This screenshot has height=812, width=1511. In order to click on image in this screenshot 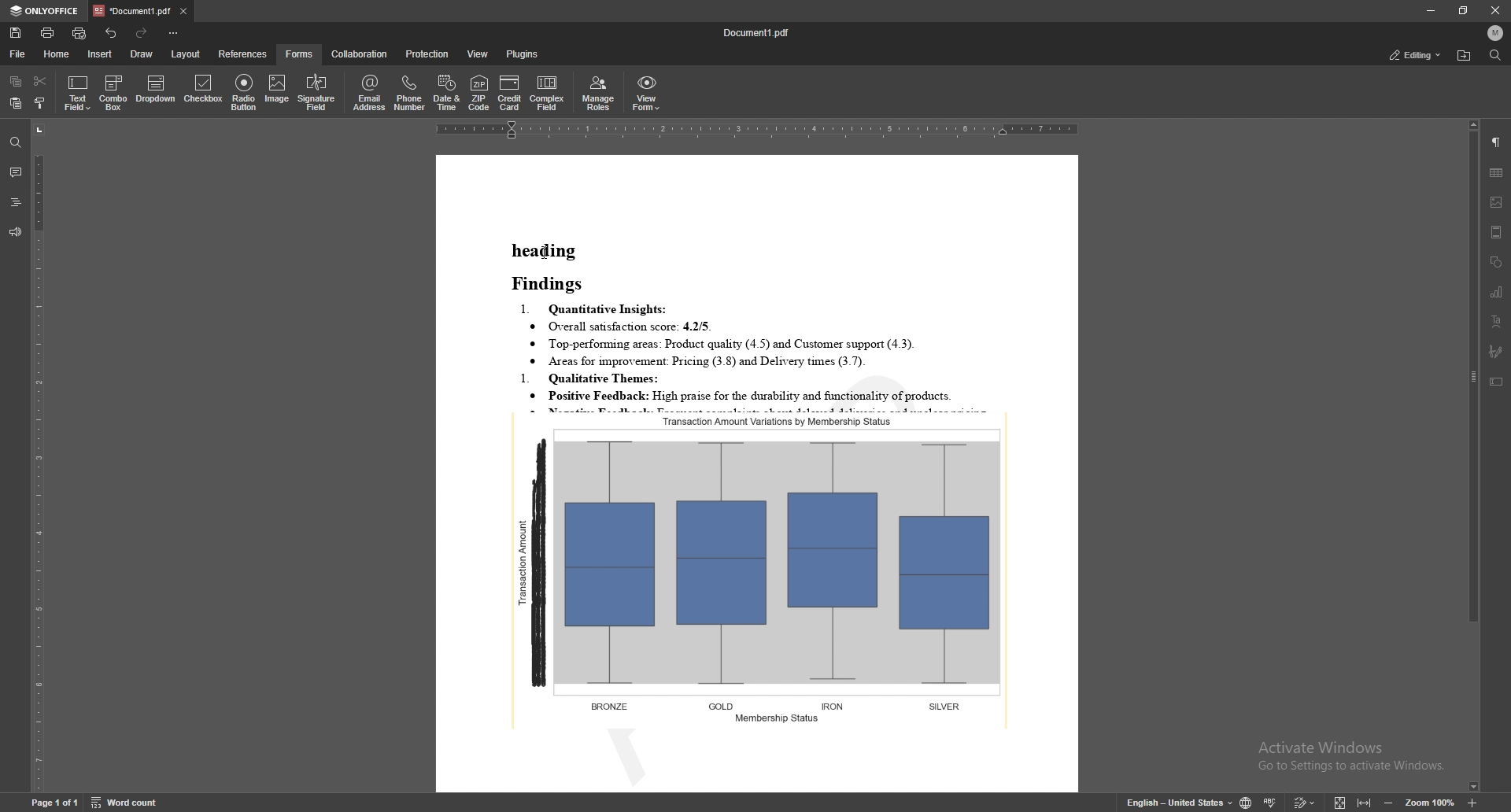, I will do `click(279, 90)`.